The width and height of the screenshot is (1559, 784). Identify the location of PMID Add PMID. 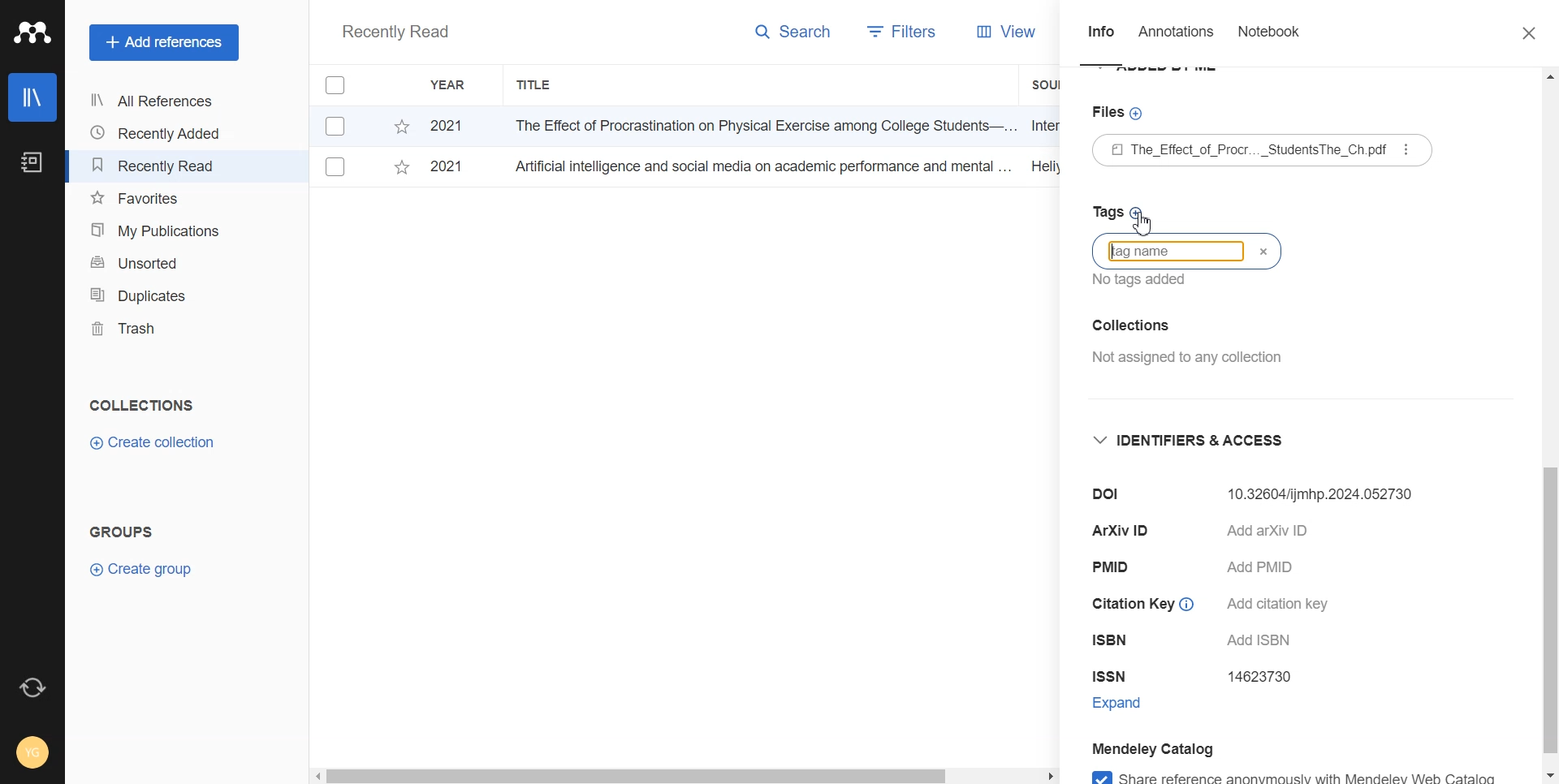
(1198, 568).